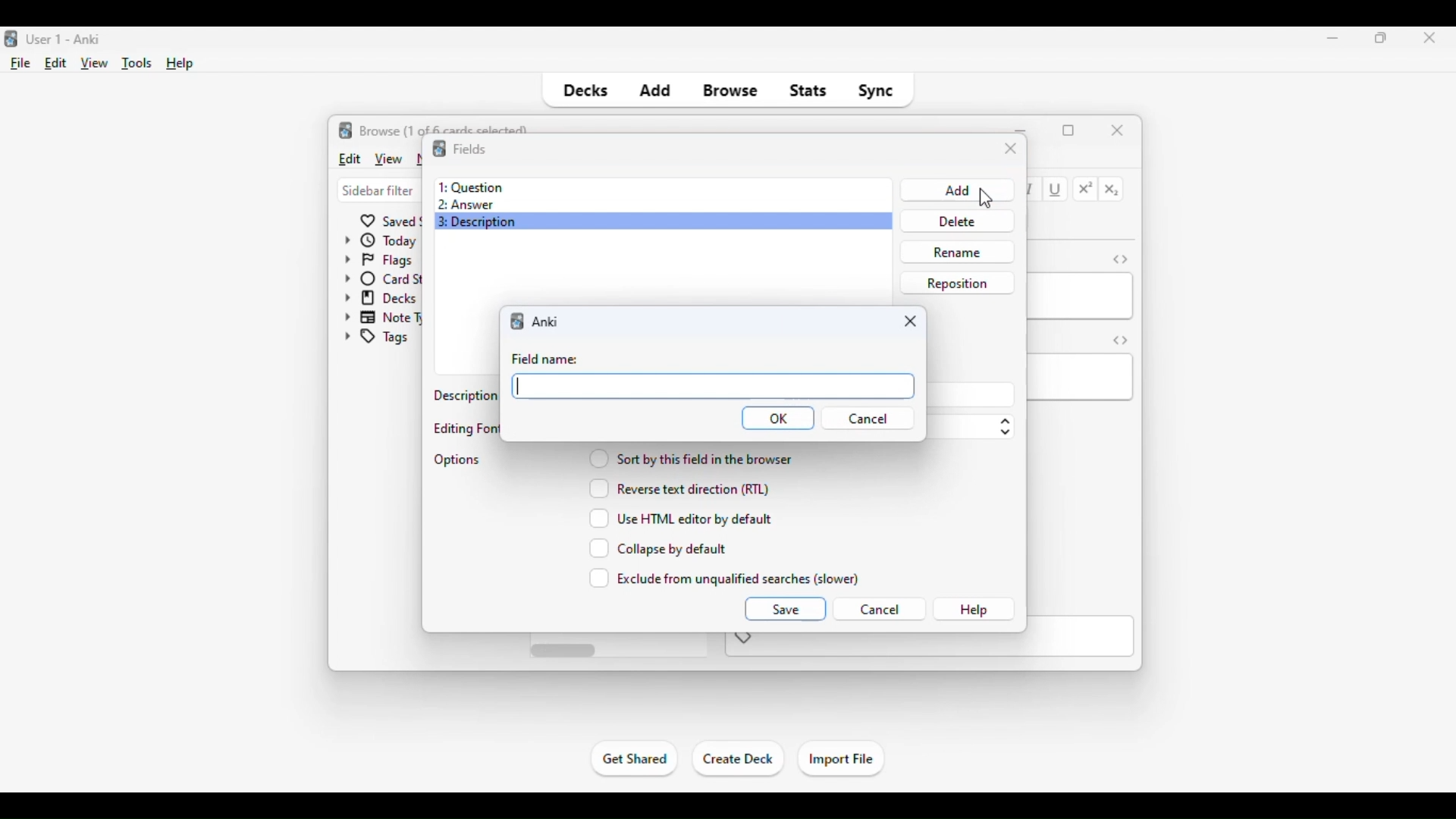 This screenshot has width=1456, height=819. What do you see at coordinates (784, 608) in the screenshot?
I see `save` at bounding box center [784, 608].